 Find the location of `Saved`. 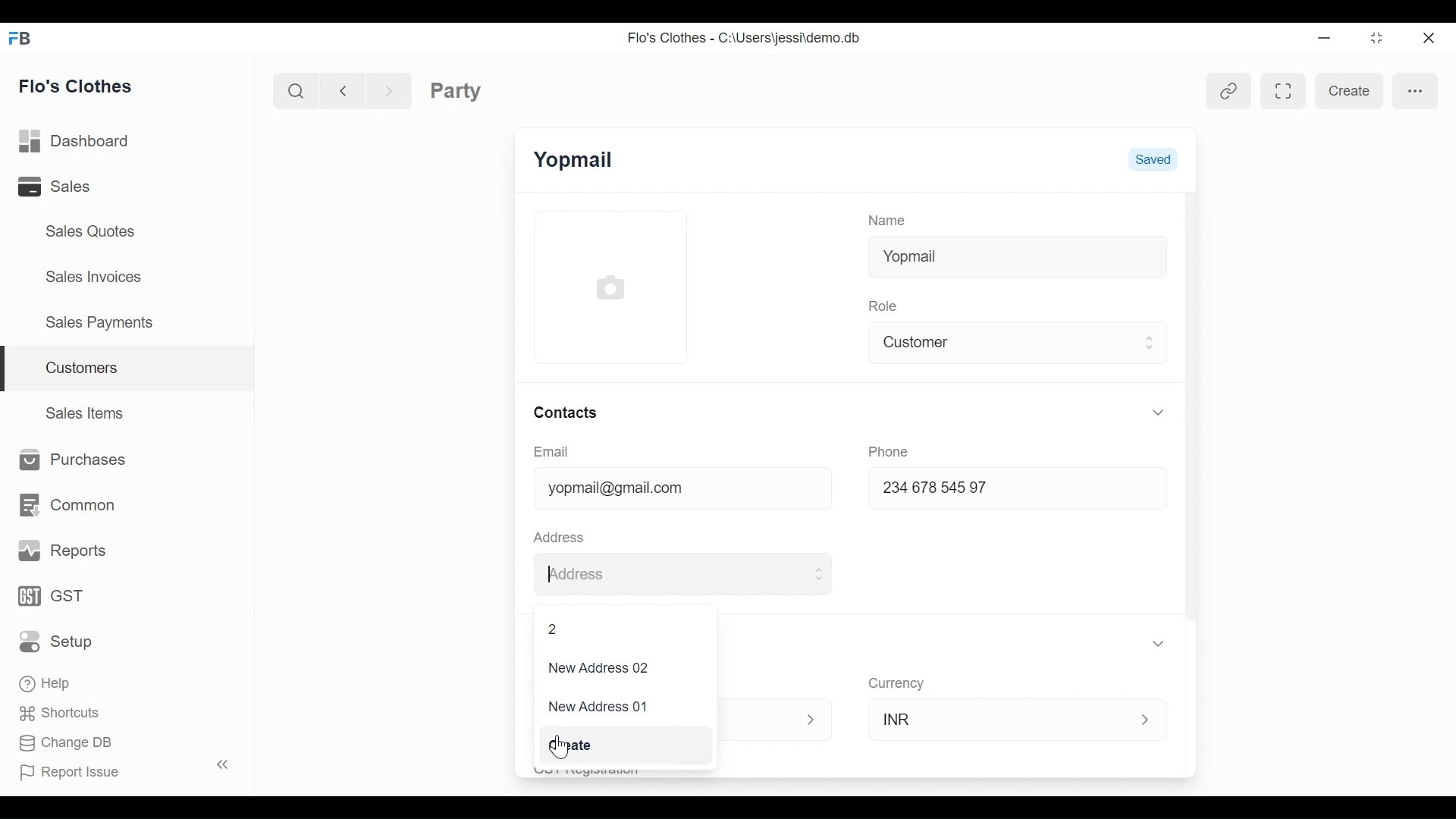

Saved is located at coordinates (1153, 160).